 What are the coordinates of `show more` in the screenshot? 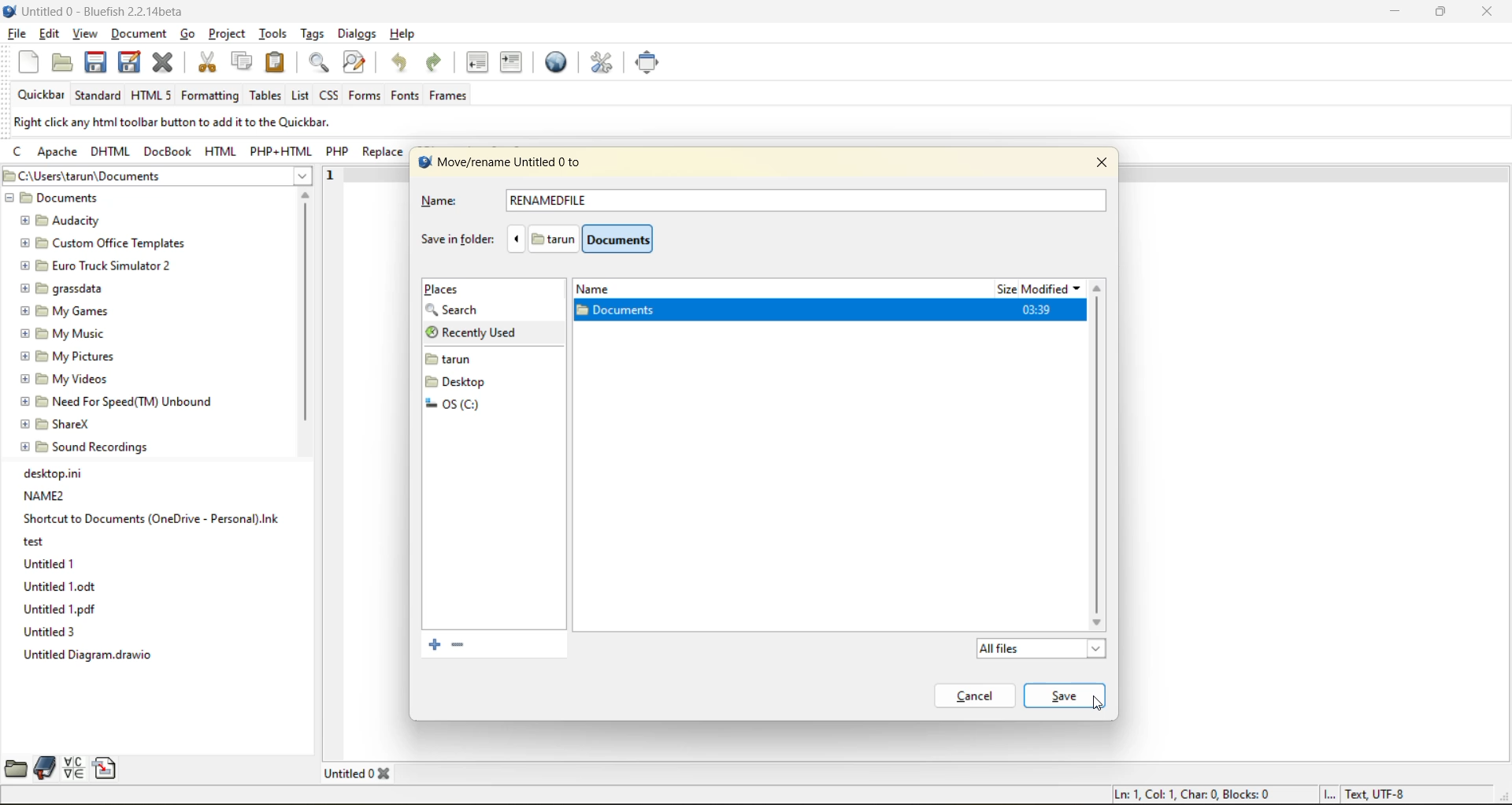 It's located at (306, 175).